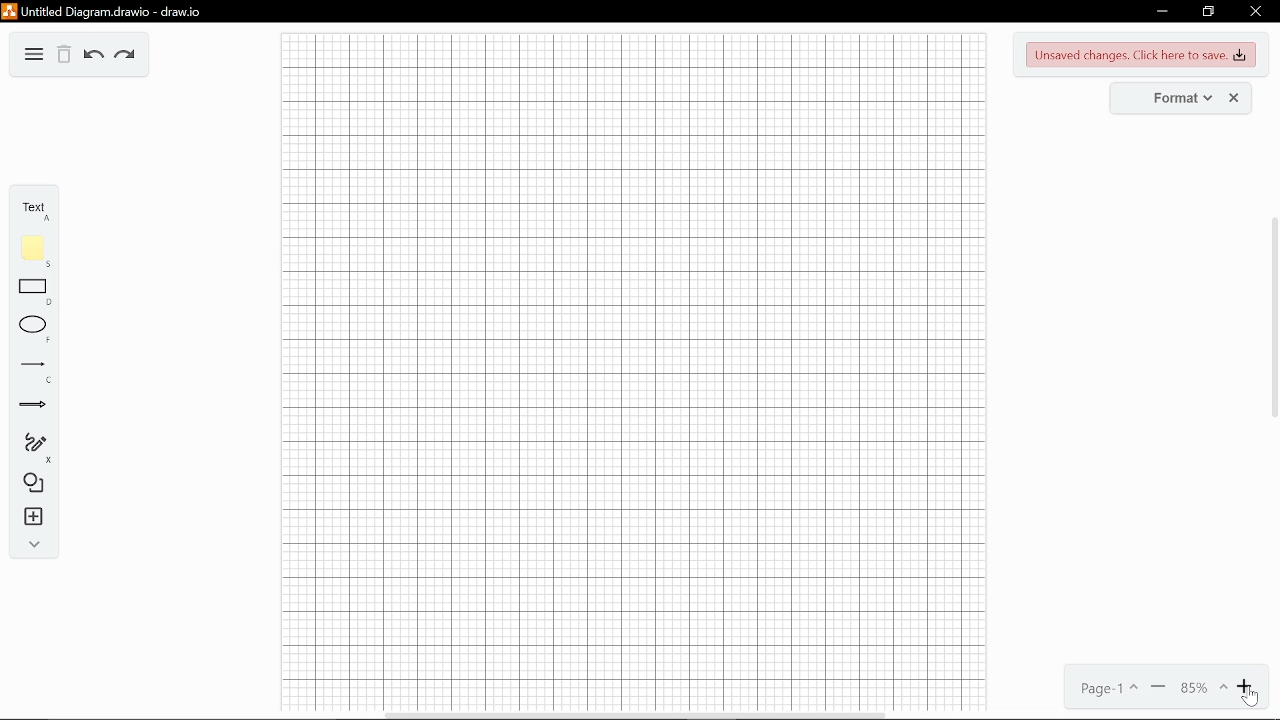  Describe the element at coordinates (636, 715) in the screenshot. I see `horizontal scrollbar` at that location.